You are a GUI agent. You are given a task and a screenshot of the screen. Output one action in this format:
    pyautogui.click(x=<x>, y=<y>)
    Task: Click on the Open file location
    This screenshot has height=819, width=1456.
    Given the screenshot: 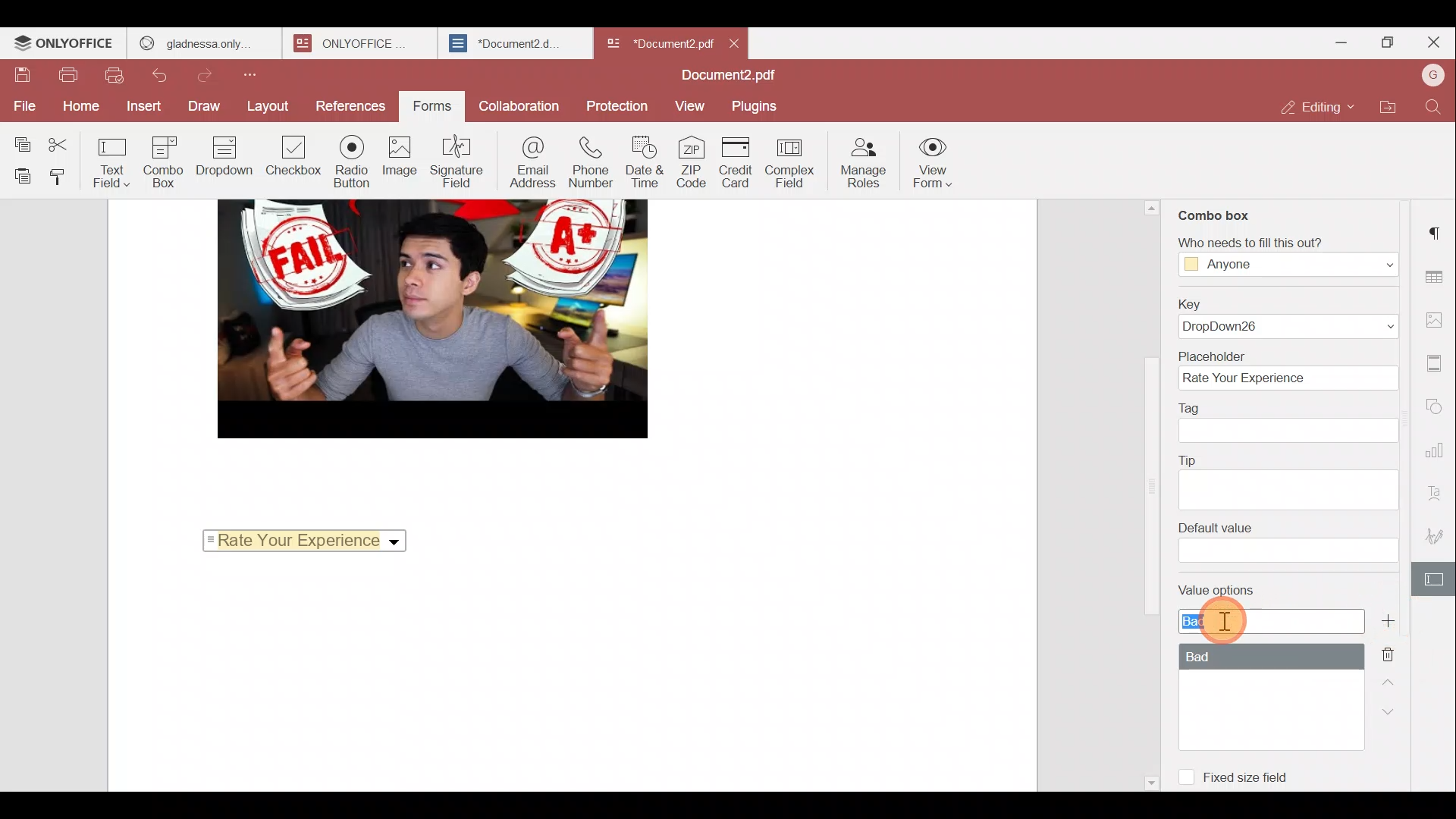 What is the action you would take?
    pyautogui.click(x=1385, y=110)
    